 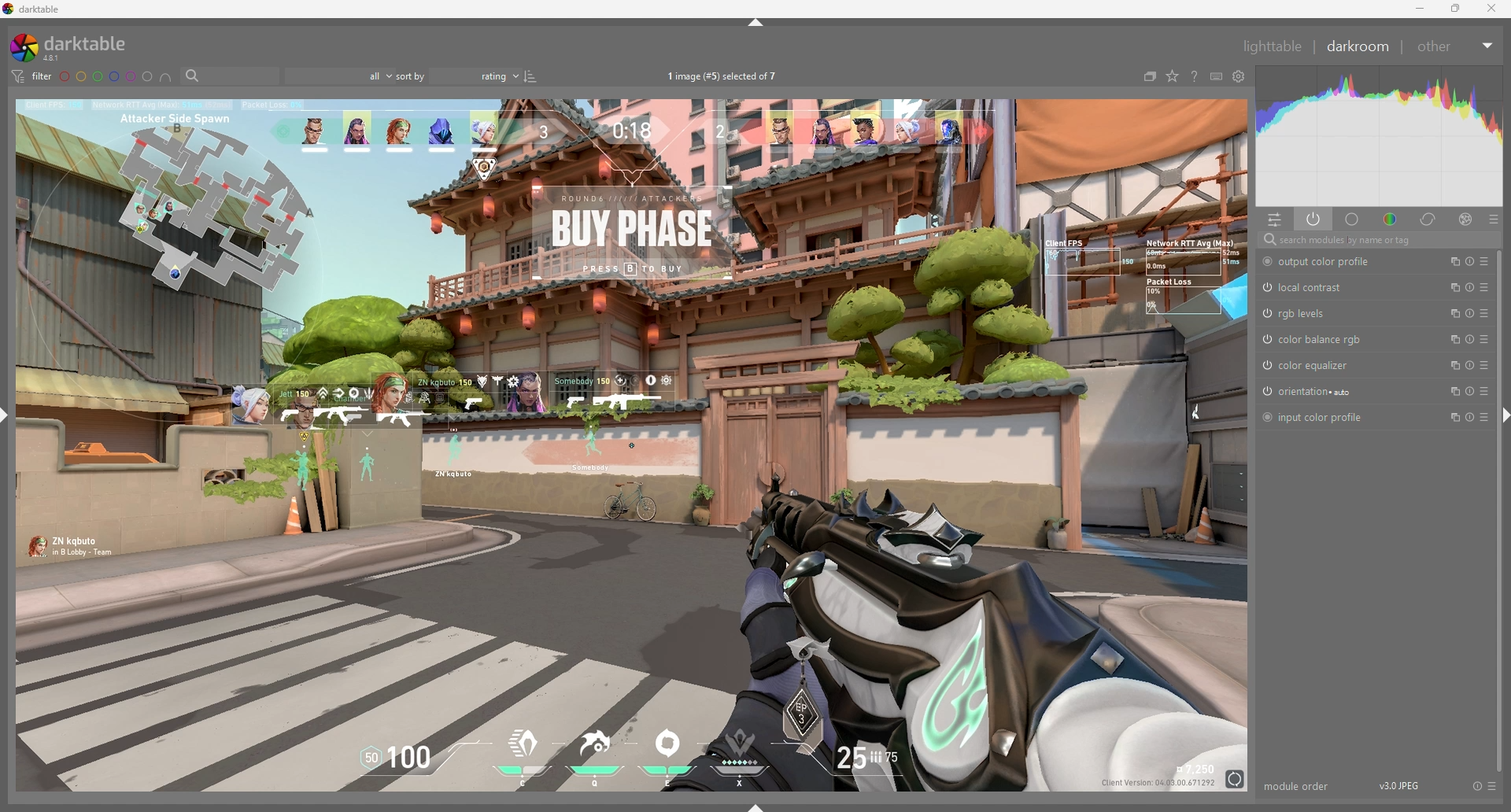 I want to click on online help, so click(x=1195, y=76).